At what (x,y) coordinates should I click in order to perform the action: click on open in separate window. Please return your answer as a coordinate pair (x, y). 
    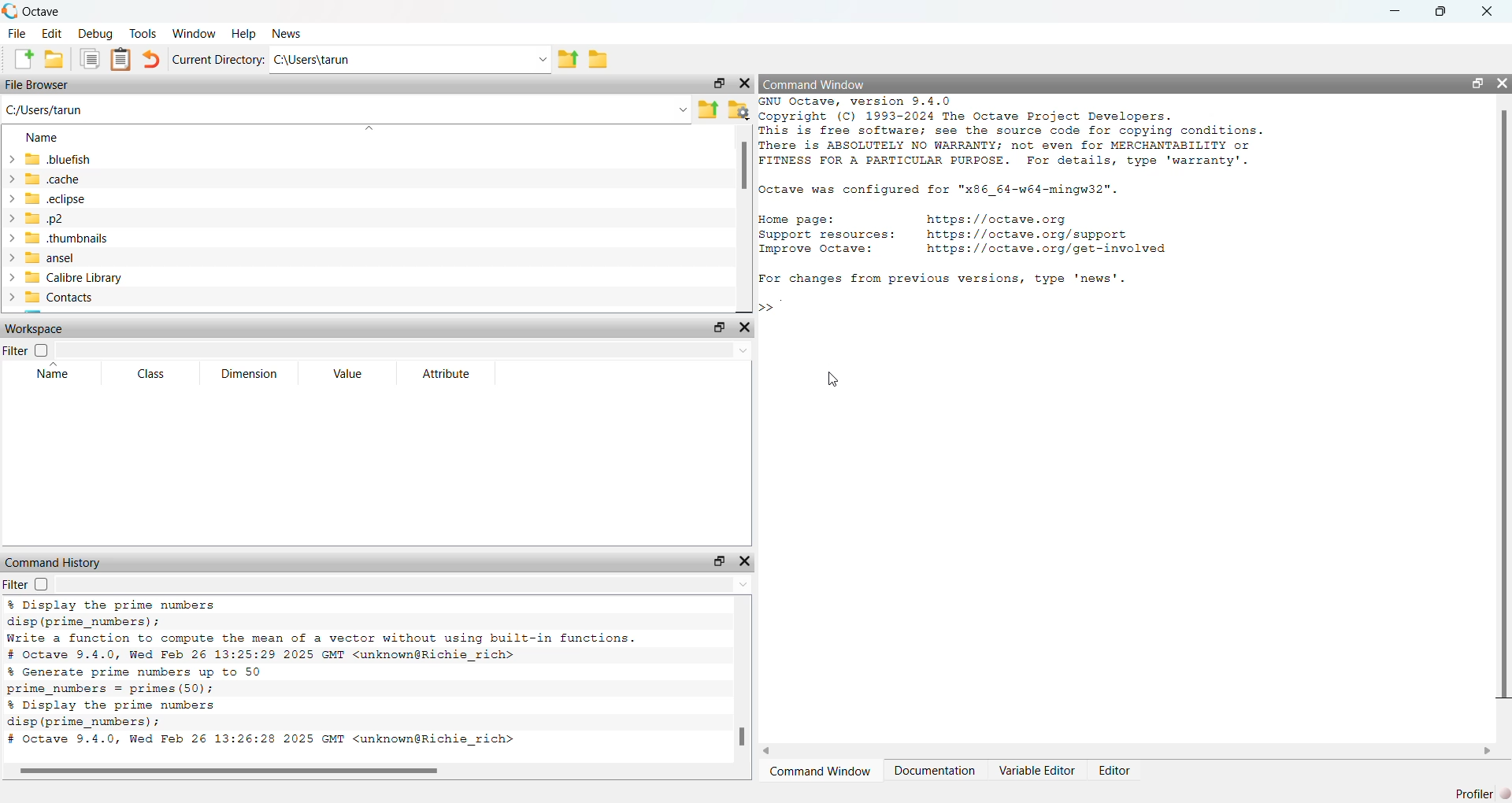
    Looking at the image, I should click on (717, 327).